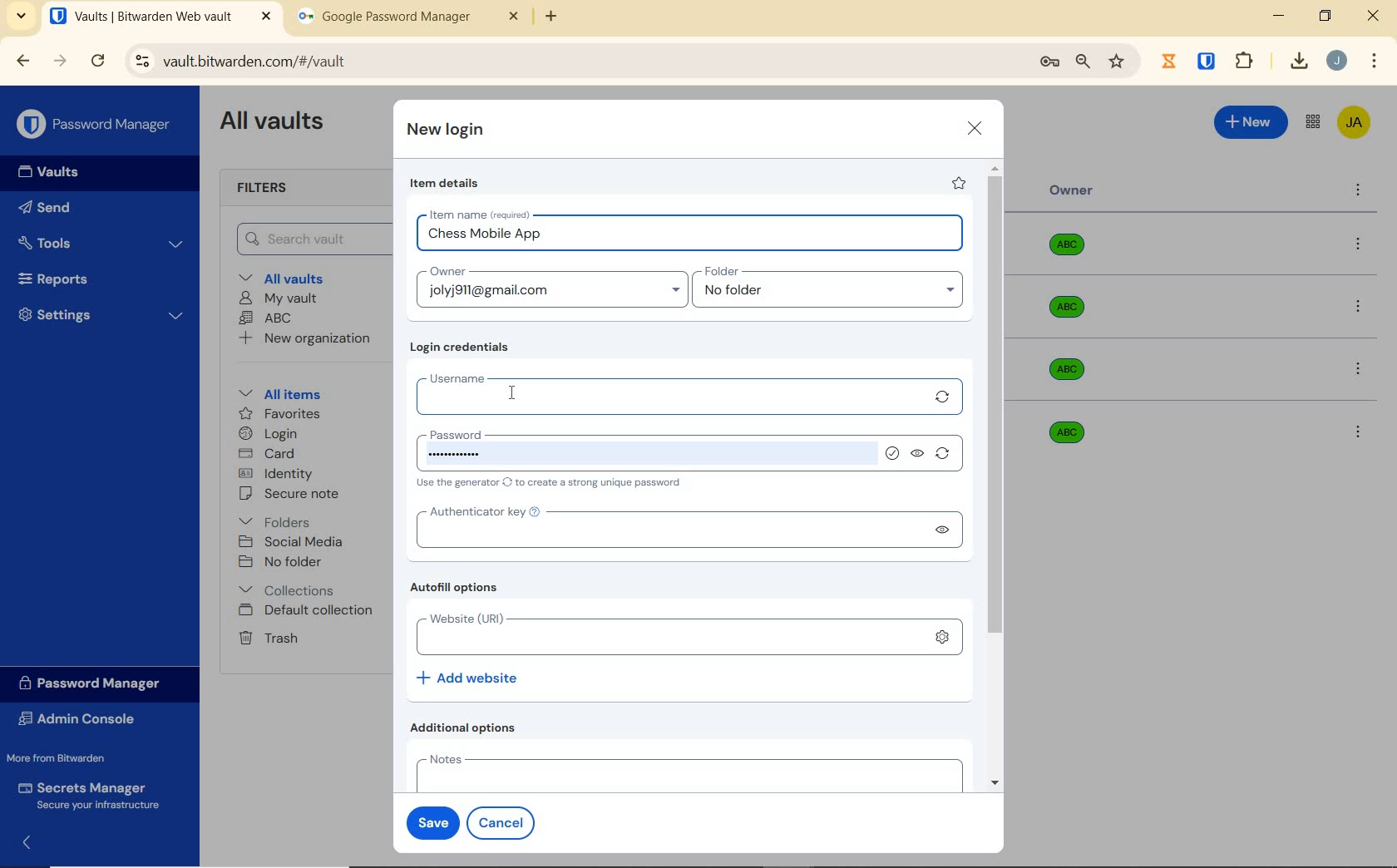 This screenshot has width=1397, height=868. Describe the element at coordinates (1359, 191) in the screenshot. I see `more option` at that location.